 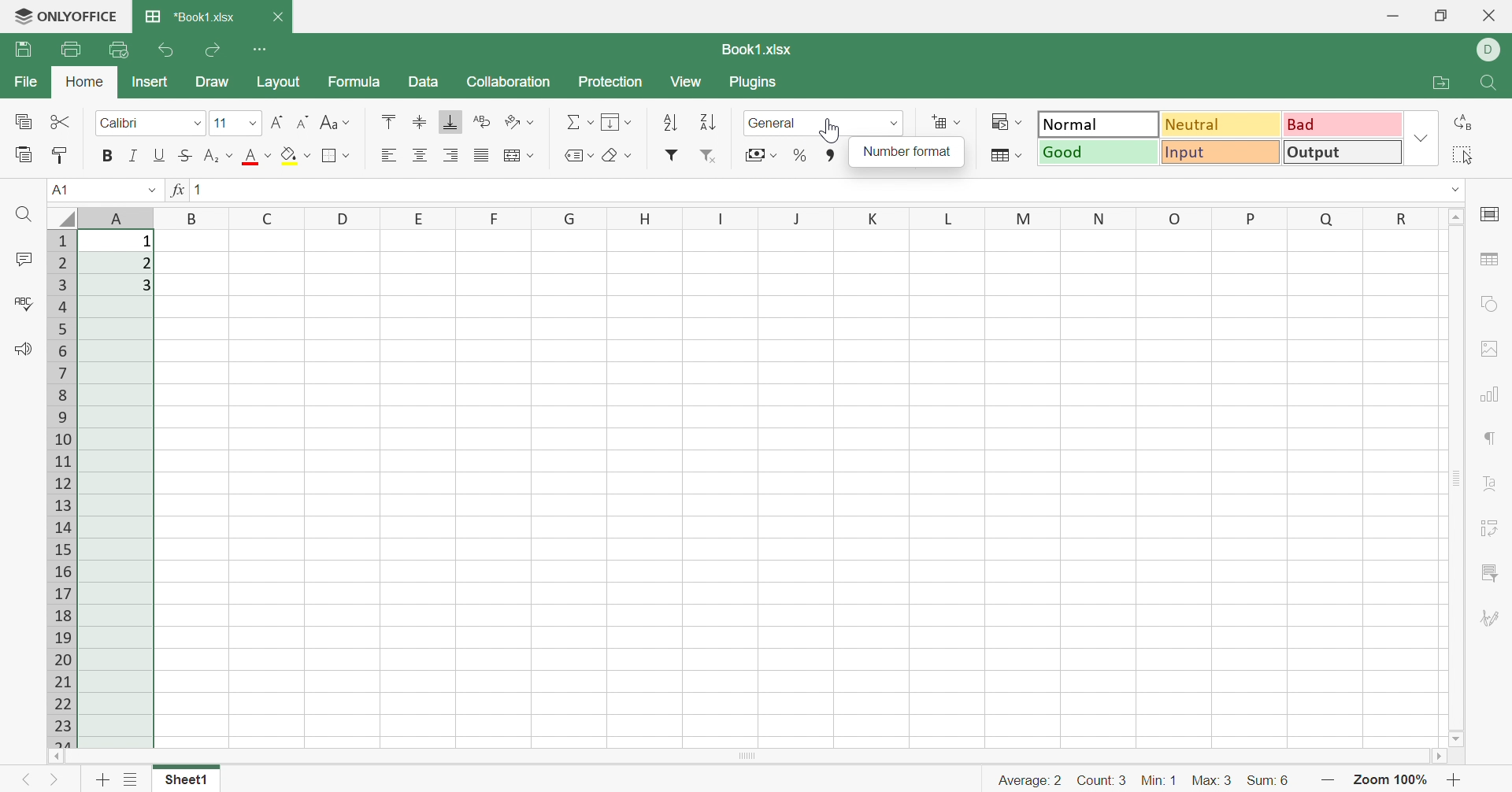 I want to click on Draw, so click(x=212, y=81).